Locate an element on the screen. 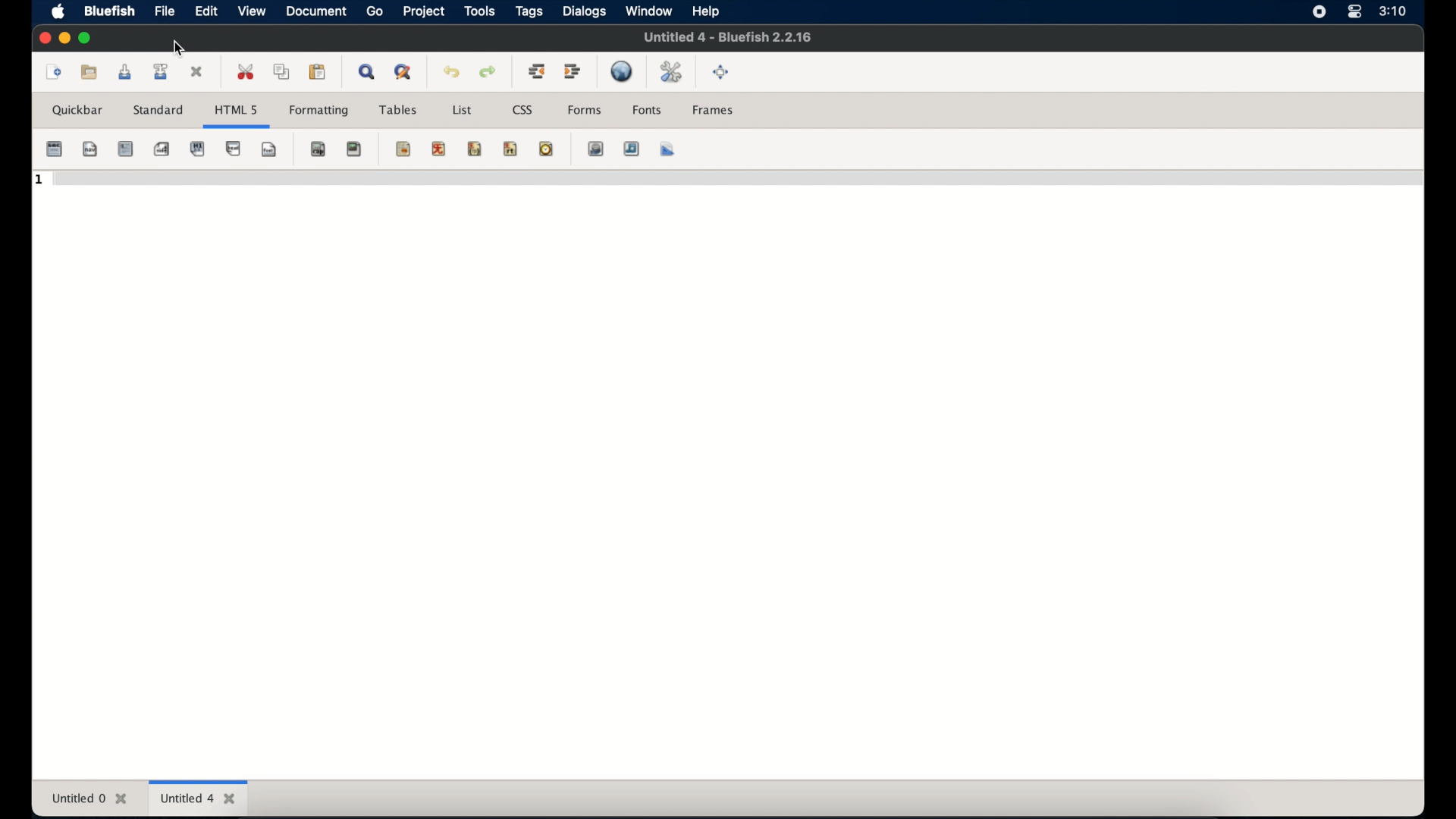 The image size is (1456, 819). cut is located at coordinates (246, 71).